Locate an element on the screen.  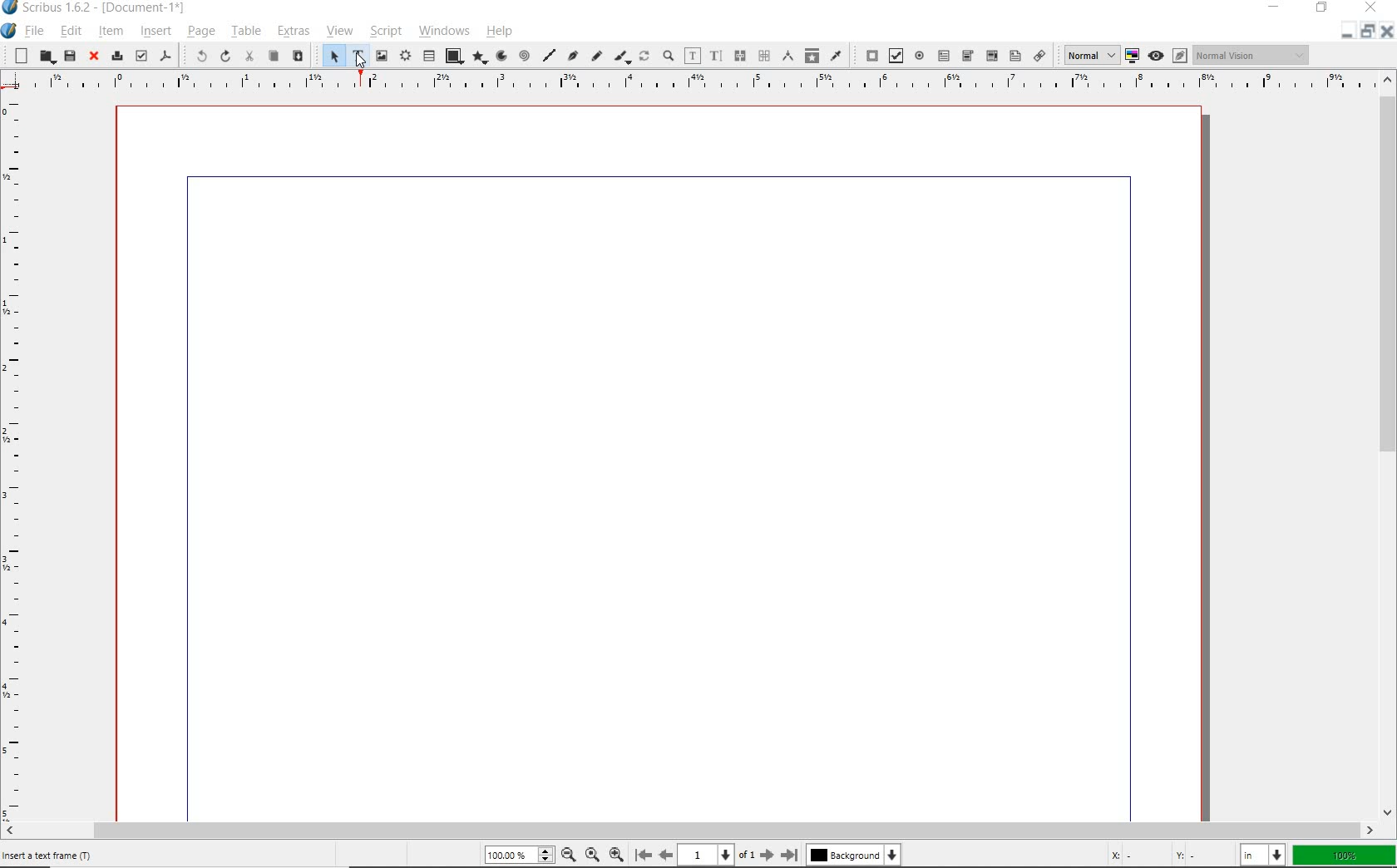
spiral is located at coordinates (525, 55).